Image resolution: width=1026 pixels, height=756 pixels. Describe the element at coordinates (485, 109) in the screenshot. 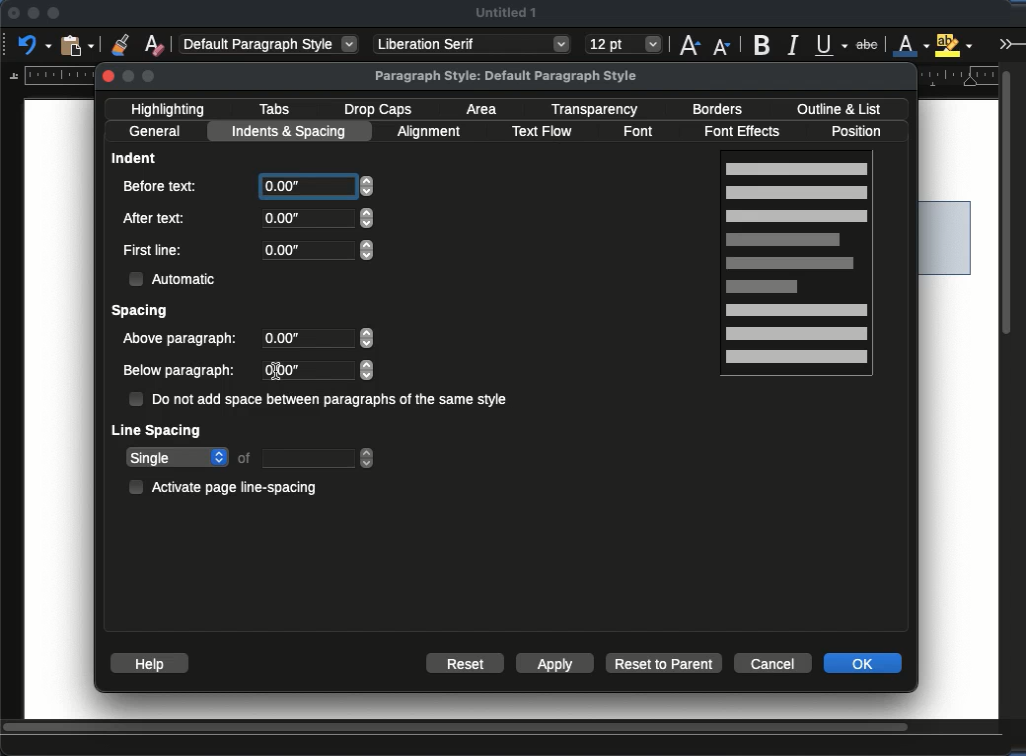

I see `area` at that location.